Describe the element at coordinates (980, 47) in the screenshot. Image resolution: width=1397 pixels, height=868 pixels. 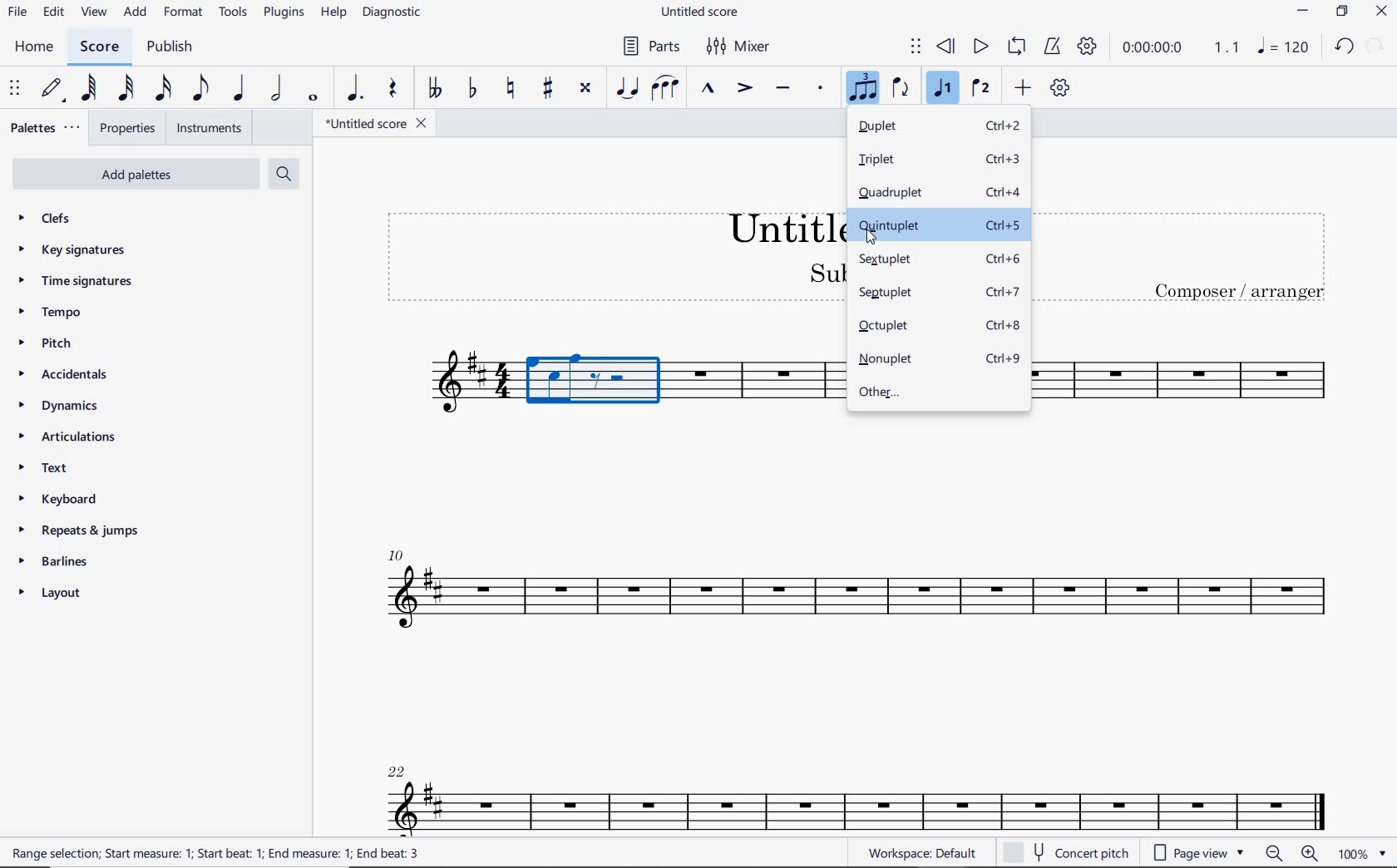
I see `PLAY` at that location.